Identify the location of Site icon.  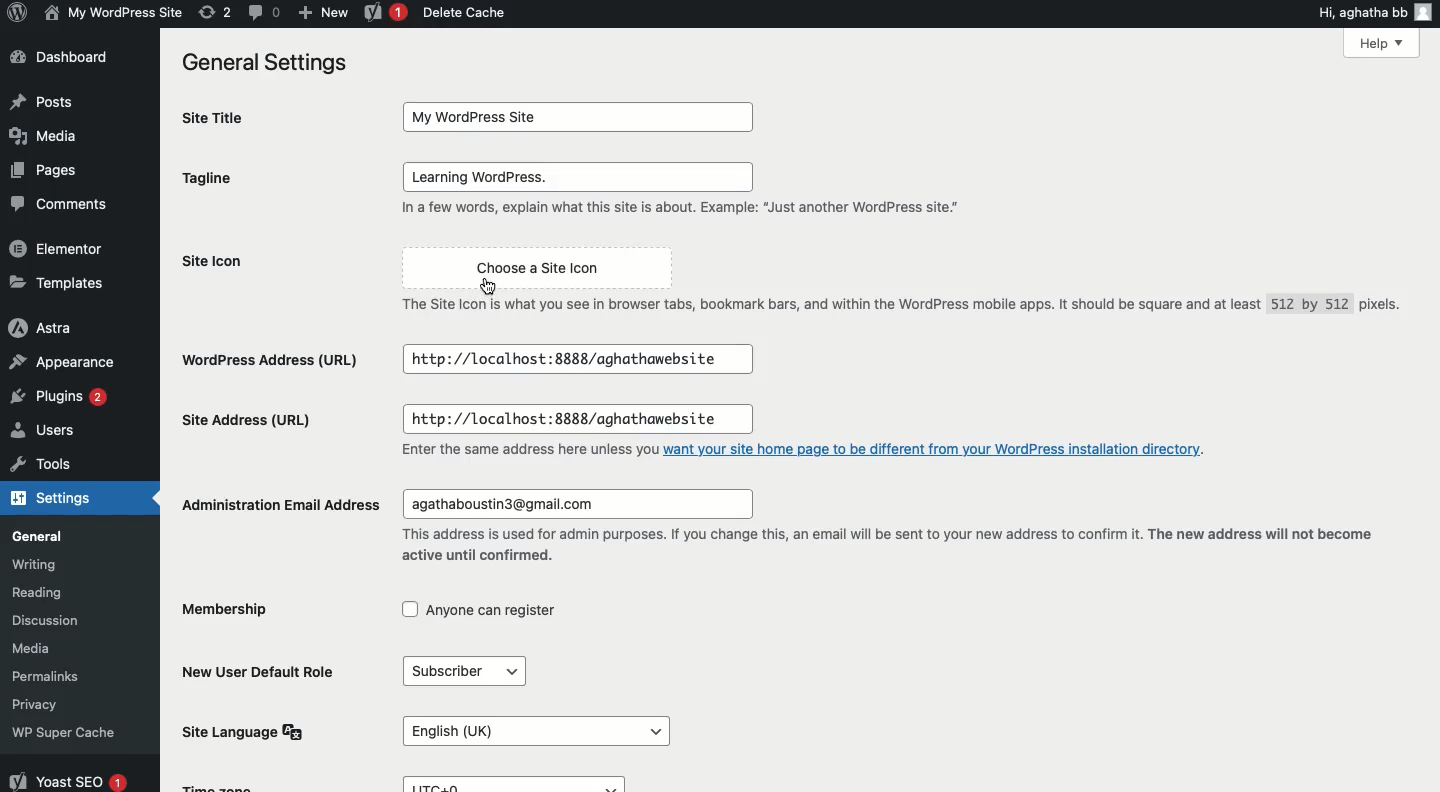
(271, 262).